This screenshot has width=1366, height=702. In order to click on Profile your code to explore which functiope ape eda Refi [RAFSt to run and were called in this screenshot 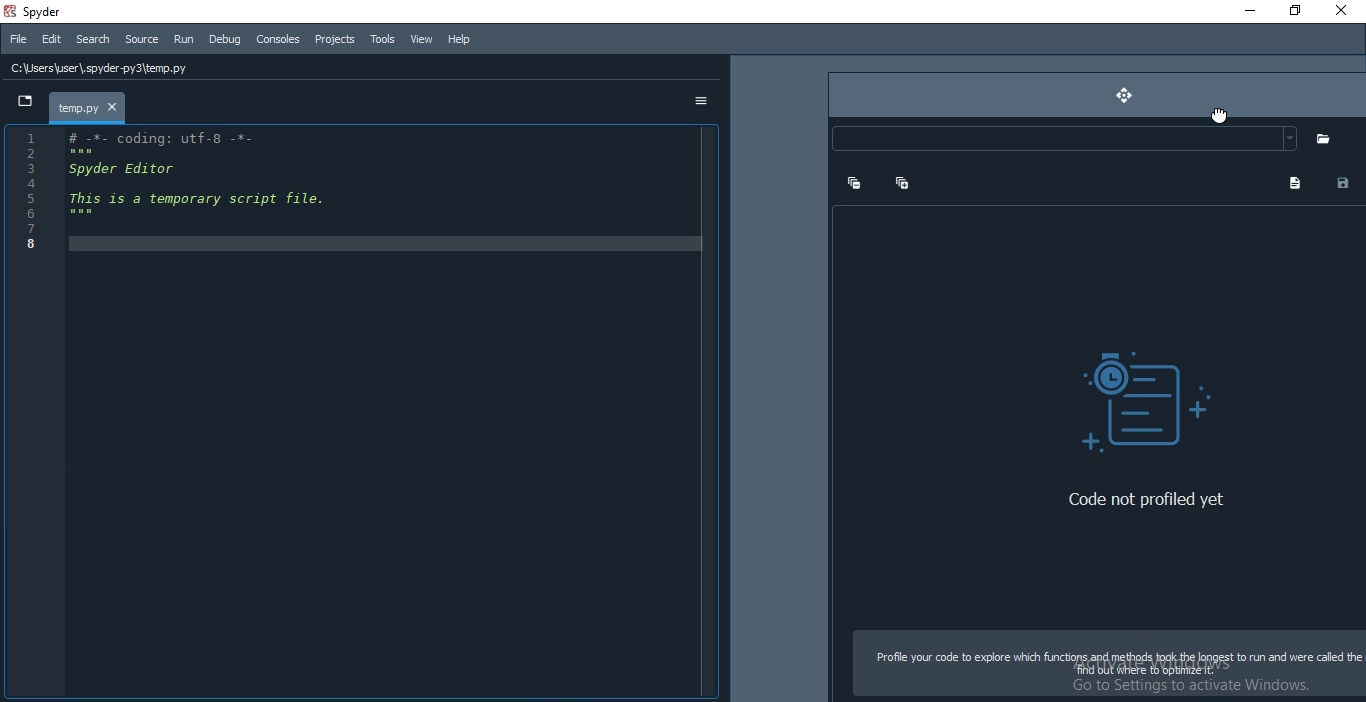, I will do `click(1119, 661)`.